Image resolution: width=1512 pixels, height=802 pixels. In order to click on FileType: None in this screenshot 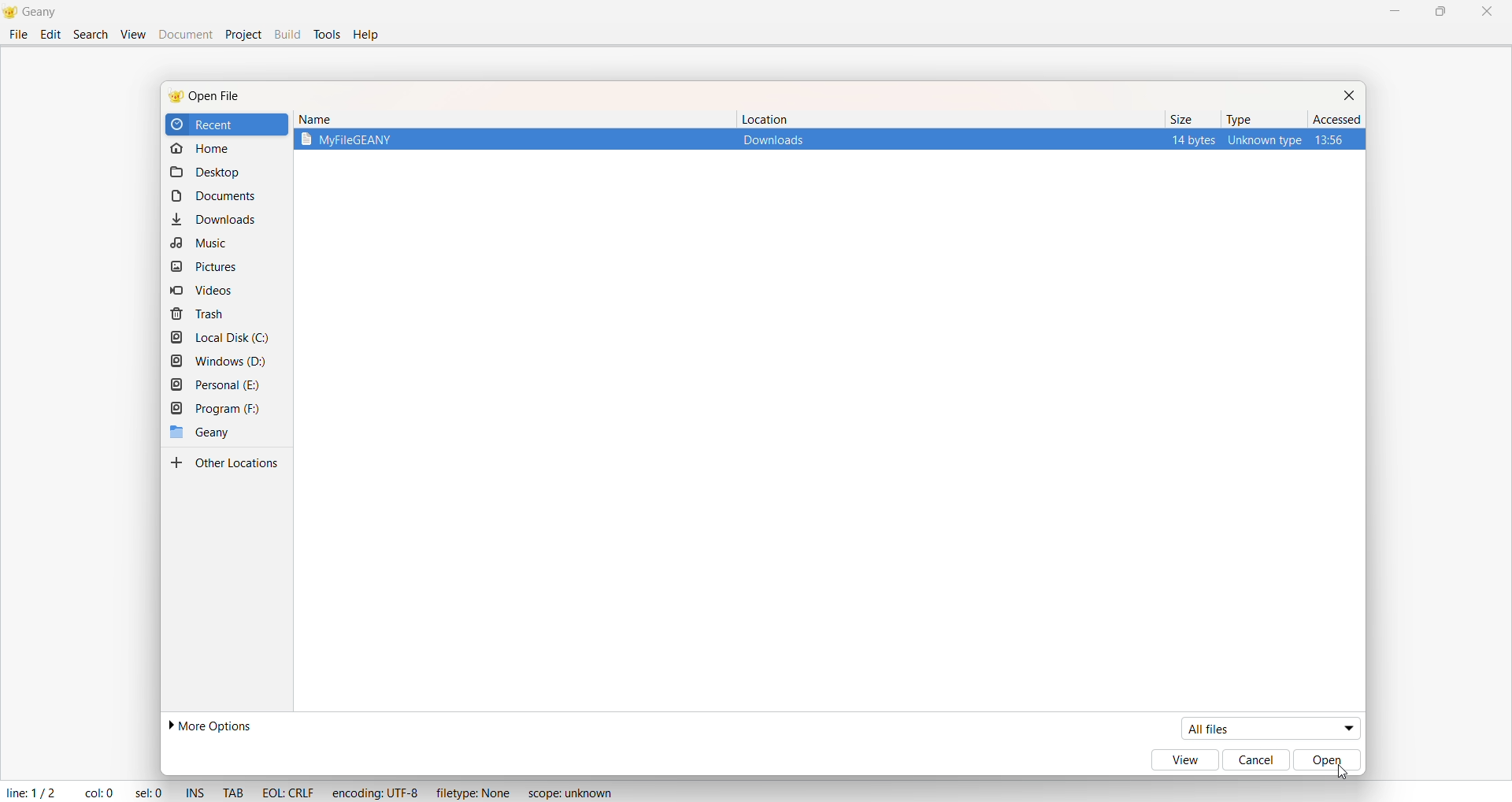, I will do `click(473, 791)`.